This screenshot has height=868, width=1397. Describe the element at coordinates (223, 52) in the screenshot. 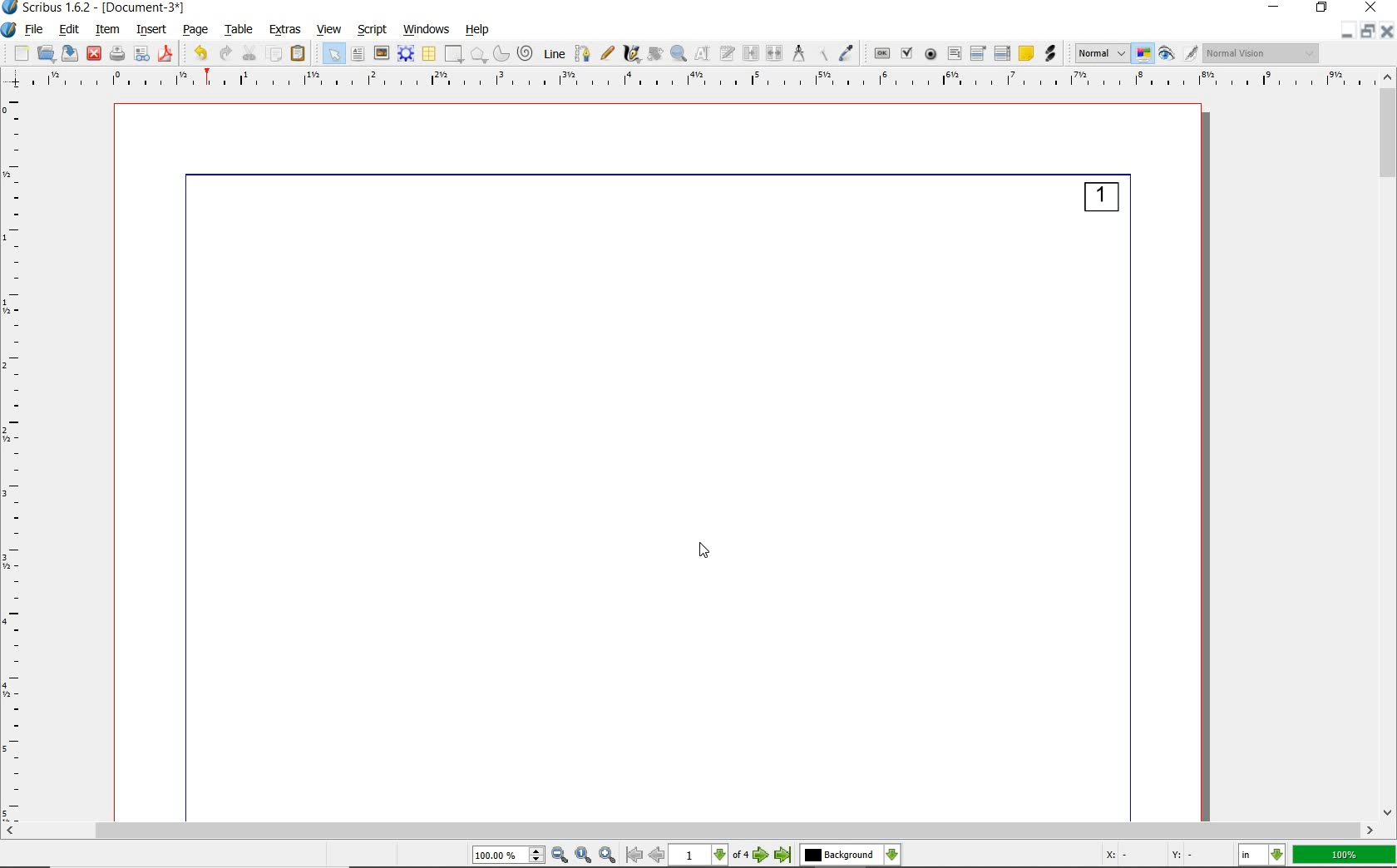

I see `redo` at that location.